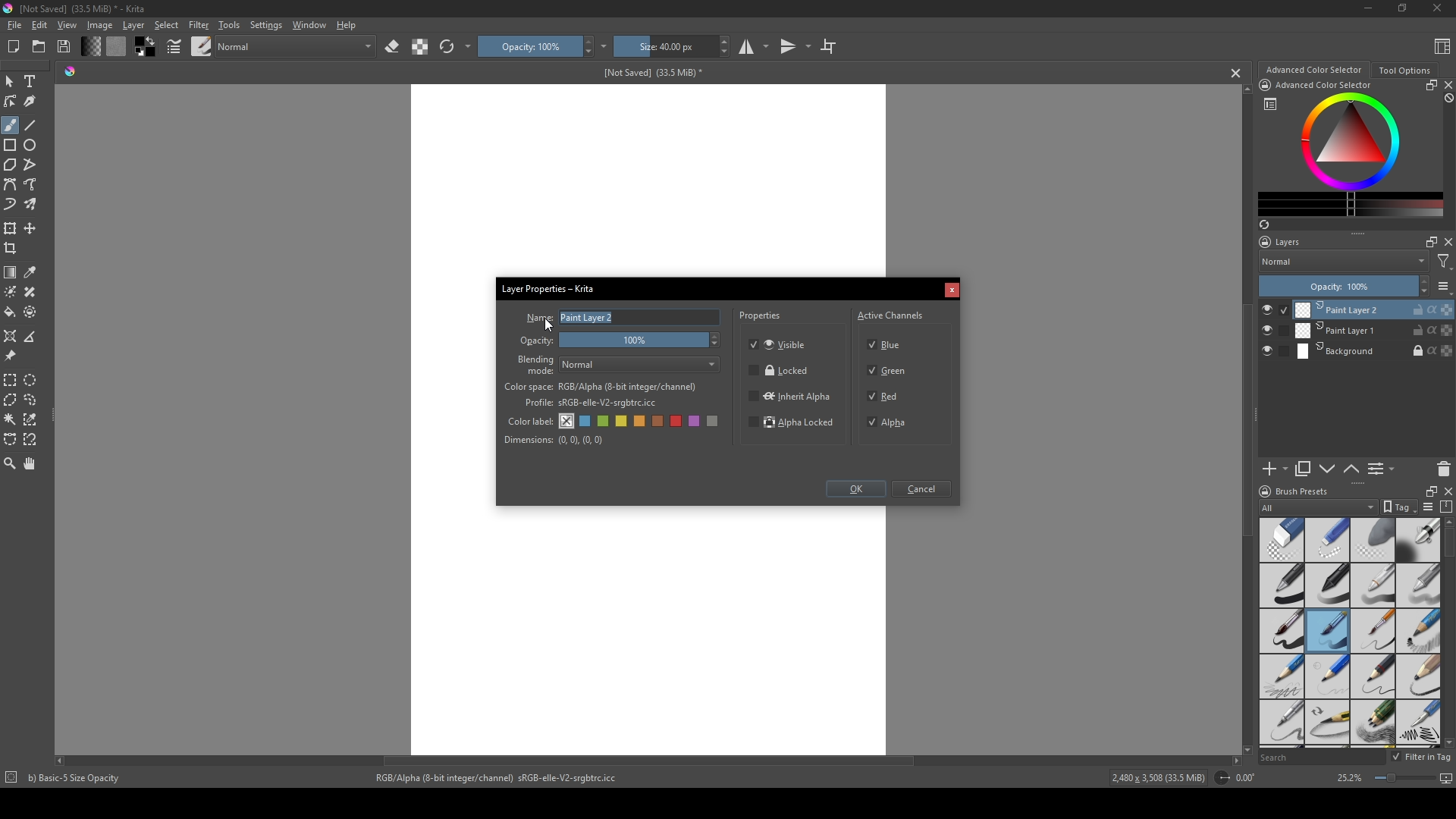 Image resolution: width=1456 pixels, height=819 pixels. I want to click on measure, so click(33, 337).